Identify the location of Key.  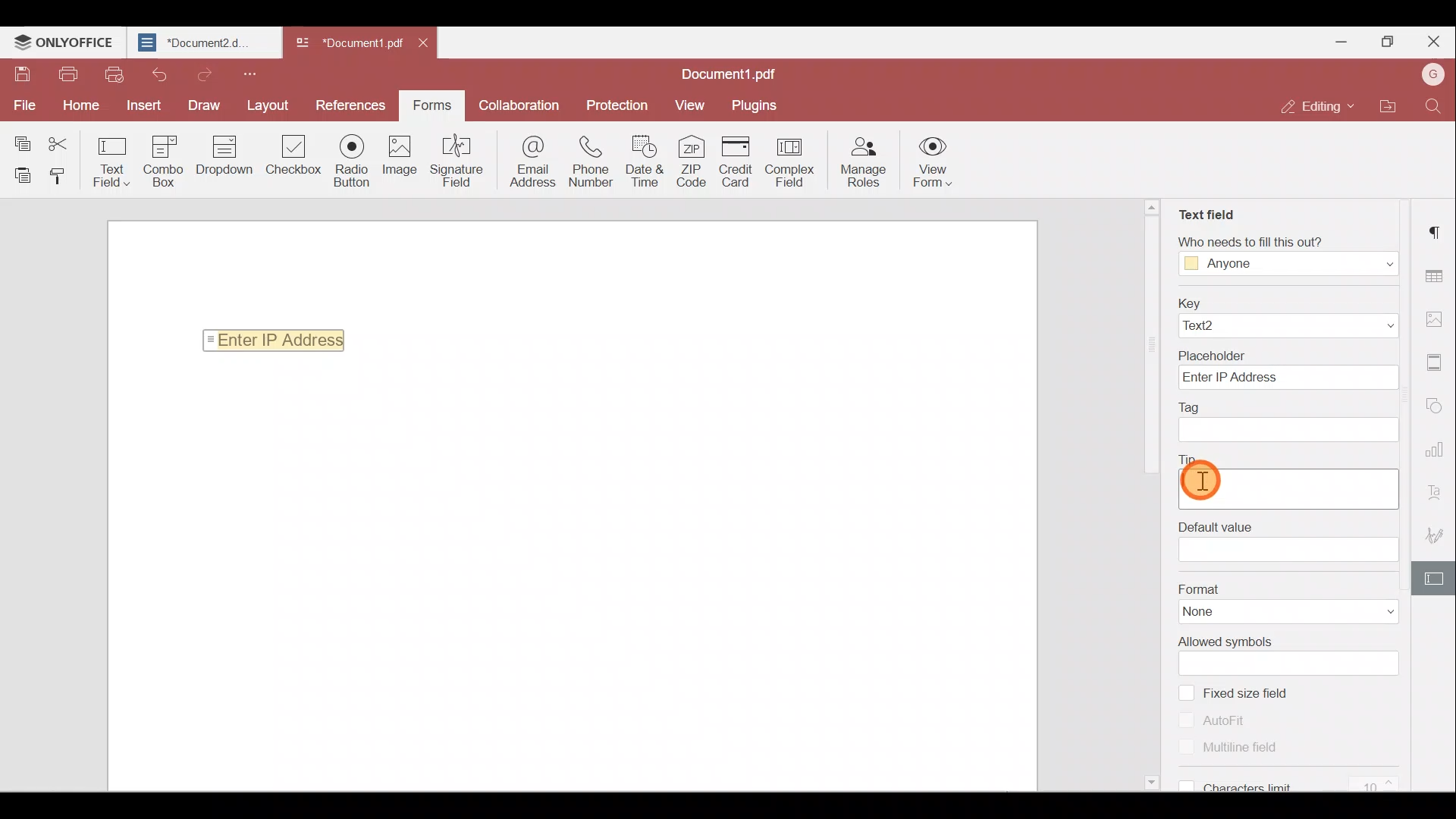
(1288, 302).